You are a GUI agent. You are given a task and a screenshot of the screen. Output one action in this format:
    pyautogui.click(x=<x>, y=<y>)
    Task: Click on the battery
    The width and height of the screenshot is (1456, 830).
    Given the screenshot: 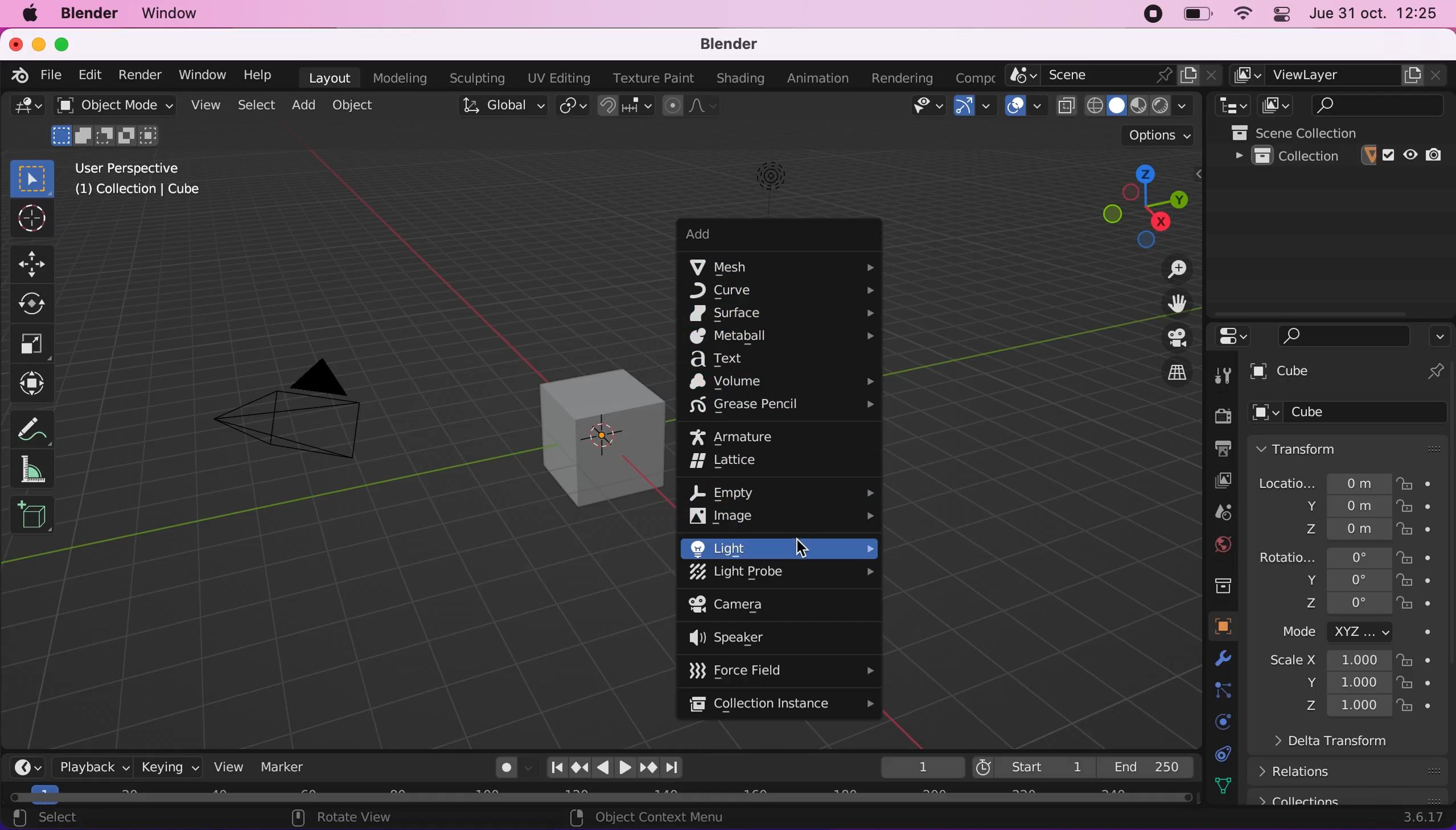 What is the action you would take?
    pyautogui.click(x=1194, y=15)
    